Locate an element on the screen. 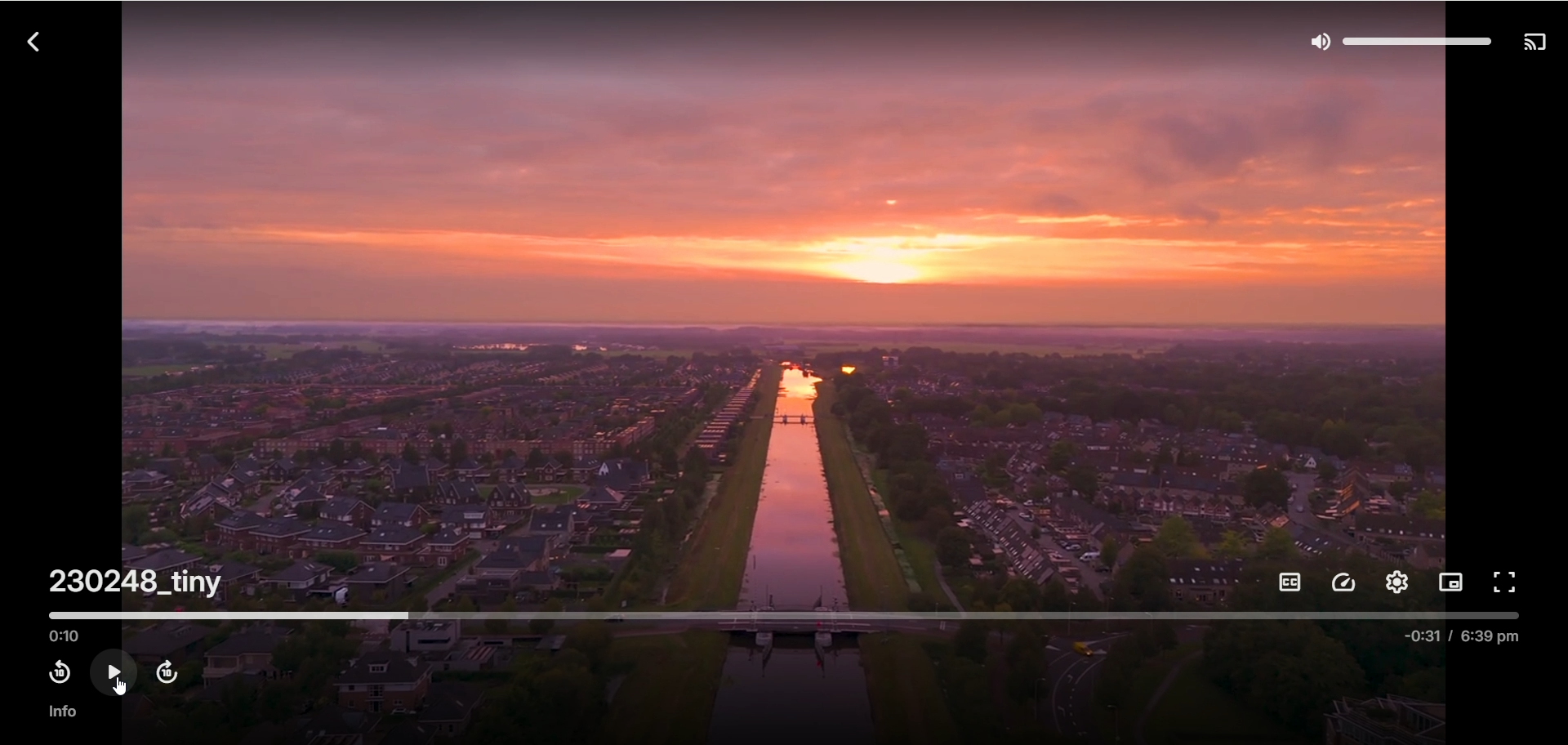  picture in picture is located at coordinates (1451, 582).